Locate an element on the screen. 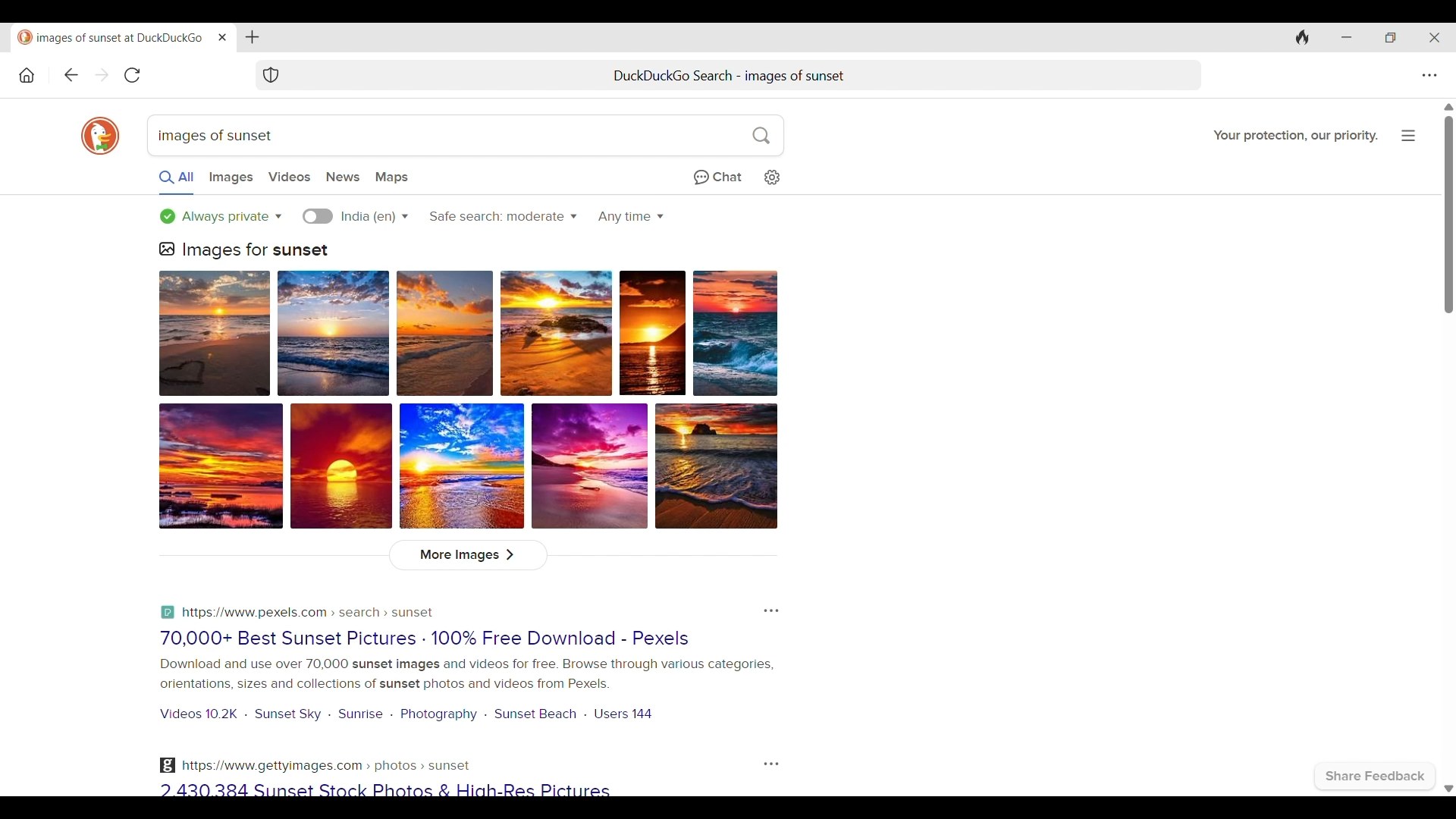 This screenshot has height=819, width=1456. Images for sunset is located at coordinates (245, 250).